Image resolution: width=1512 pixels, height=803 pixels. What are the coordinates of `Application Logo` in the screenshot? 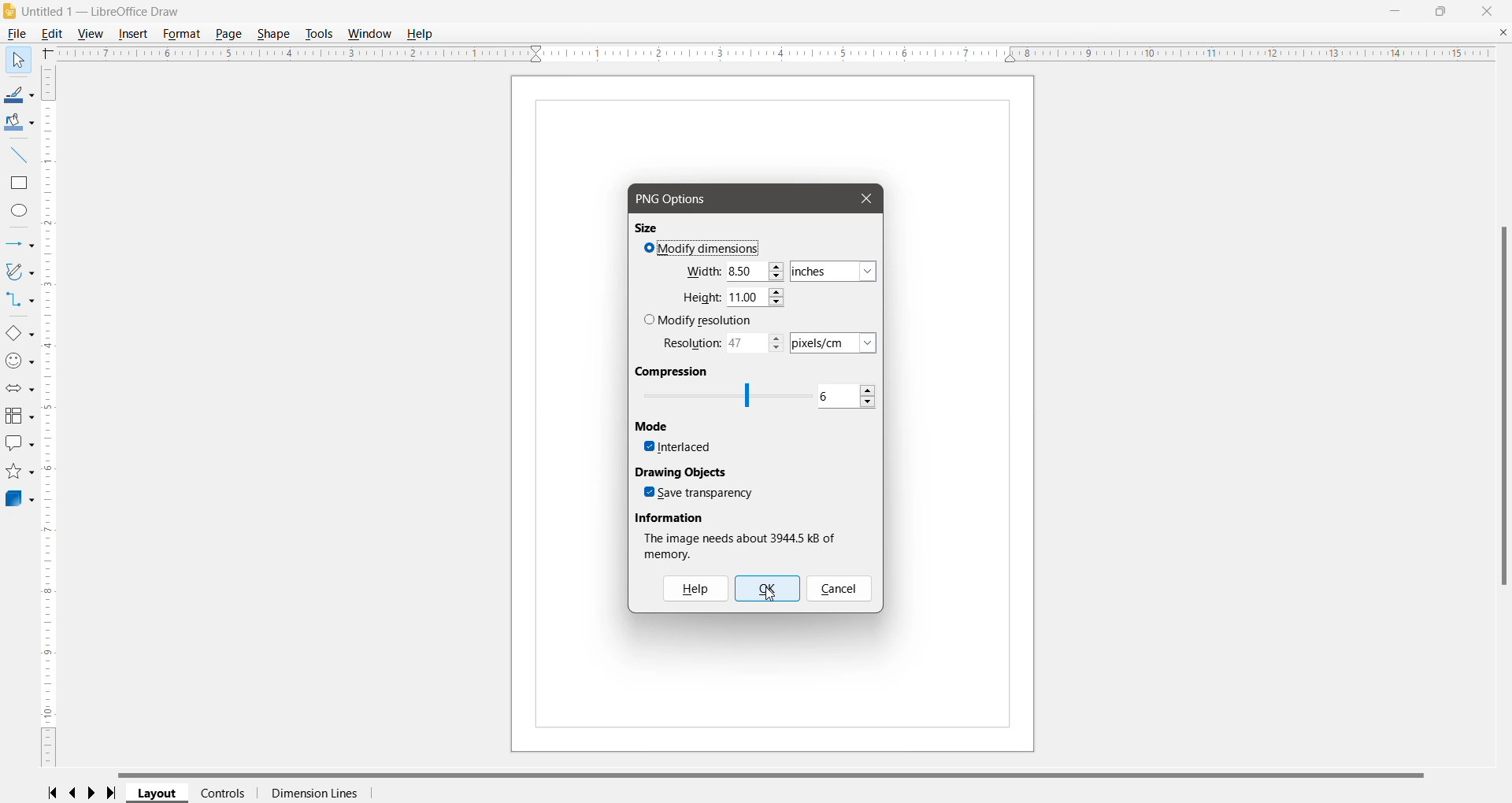 It's located at (10, 13).